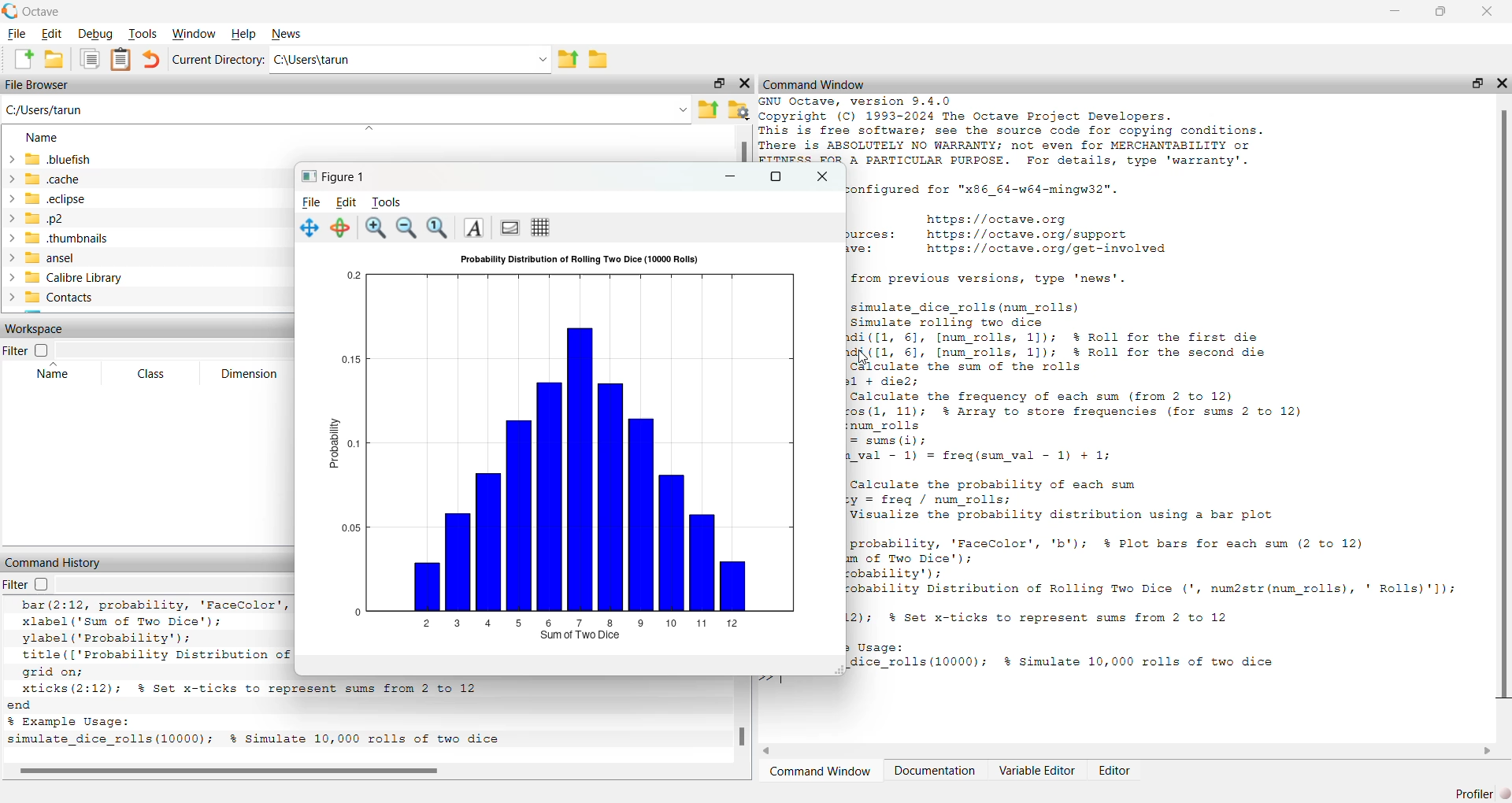  What do you see at coordinates (346, 202) in the screenshot?
I see `Edit` at bounding box center [346, 202].